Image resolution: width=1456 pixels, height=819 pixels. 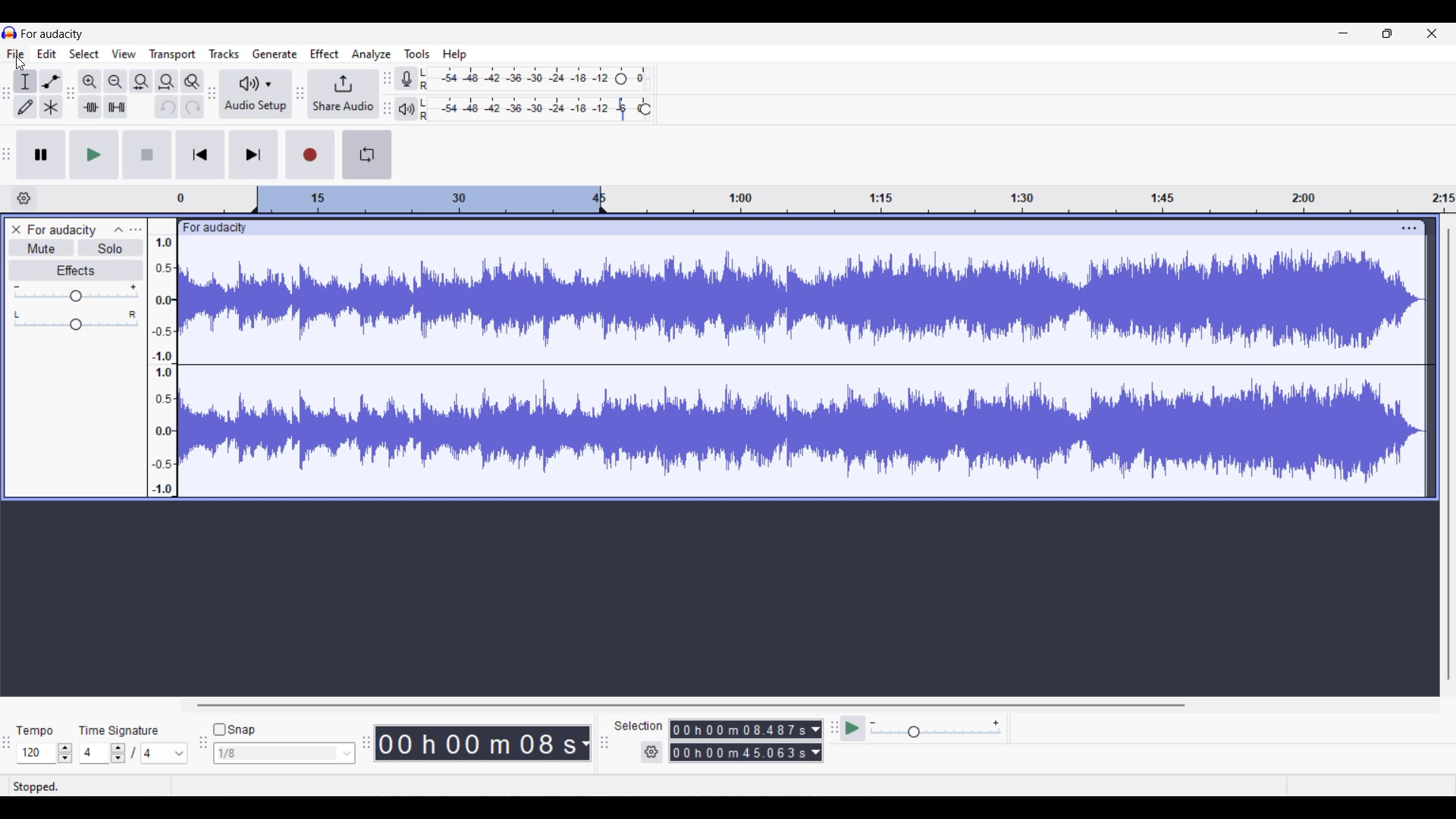 I want to click on Zoom in, so click(x=89, y=82).